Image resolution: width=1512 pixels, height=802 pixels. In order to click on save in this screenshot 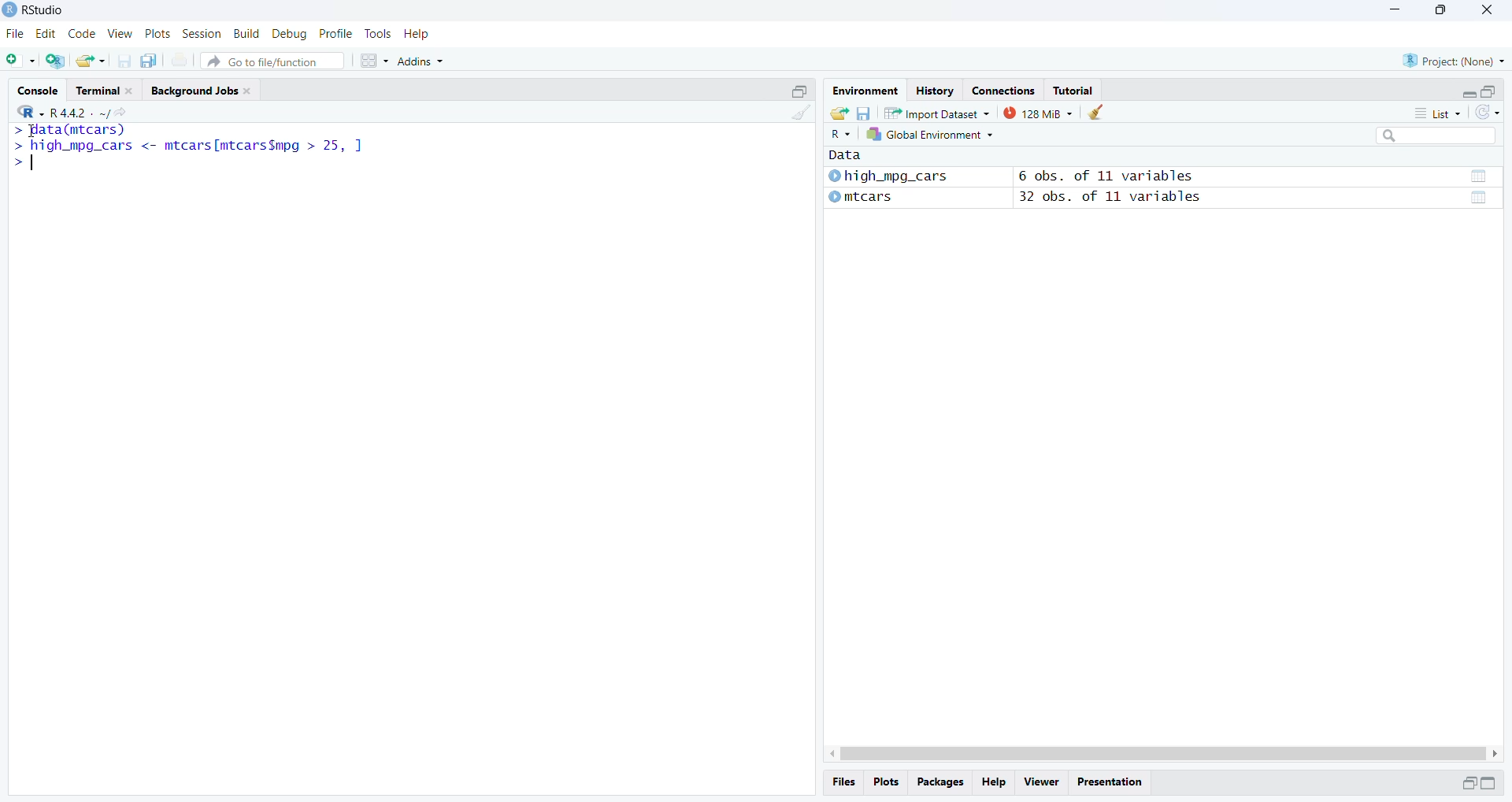, I will do `click(862, 112)`.